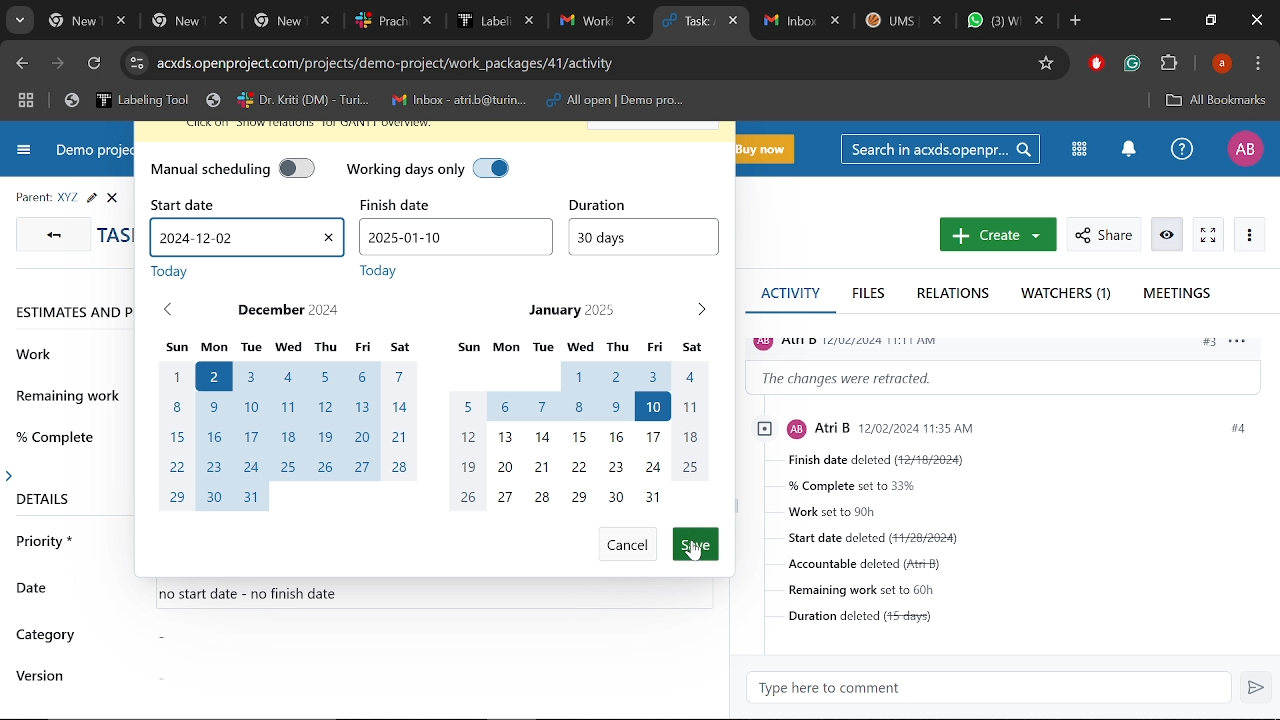 The width and height of the screenshot is (1280, 720). I want to click on Notifications, so click(1128, 150).